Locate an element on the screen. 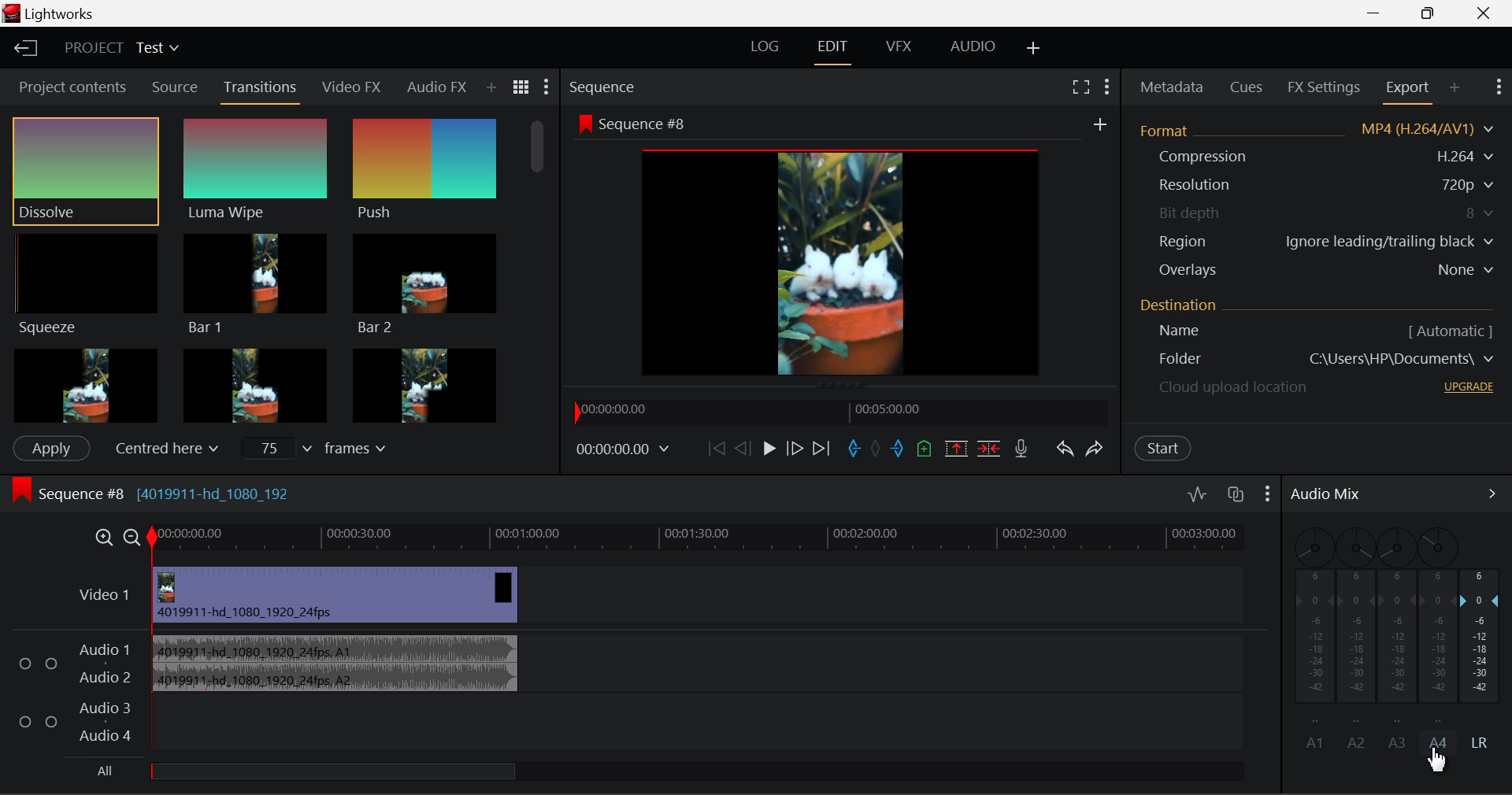  Redo is located at coordinates (1095, 449).